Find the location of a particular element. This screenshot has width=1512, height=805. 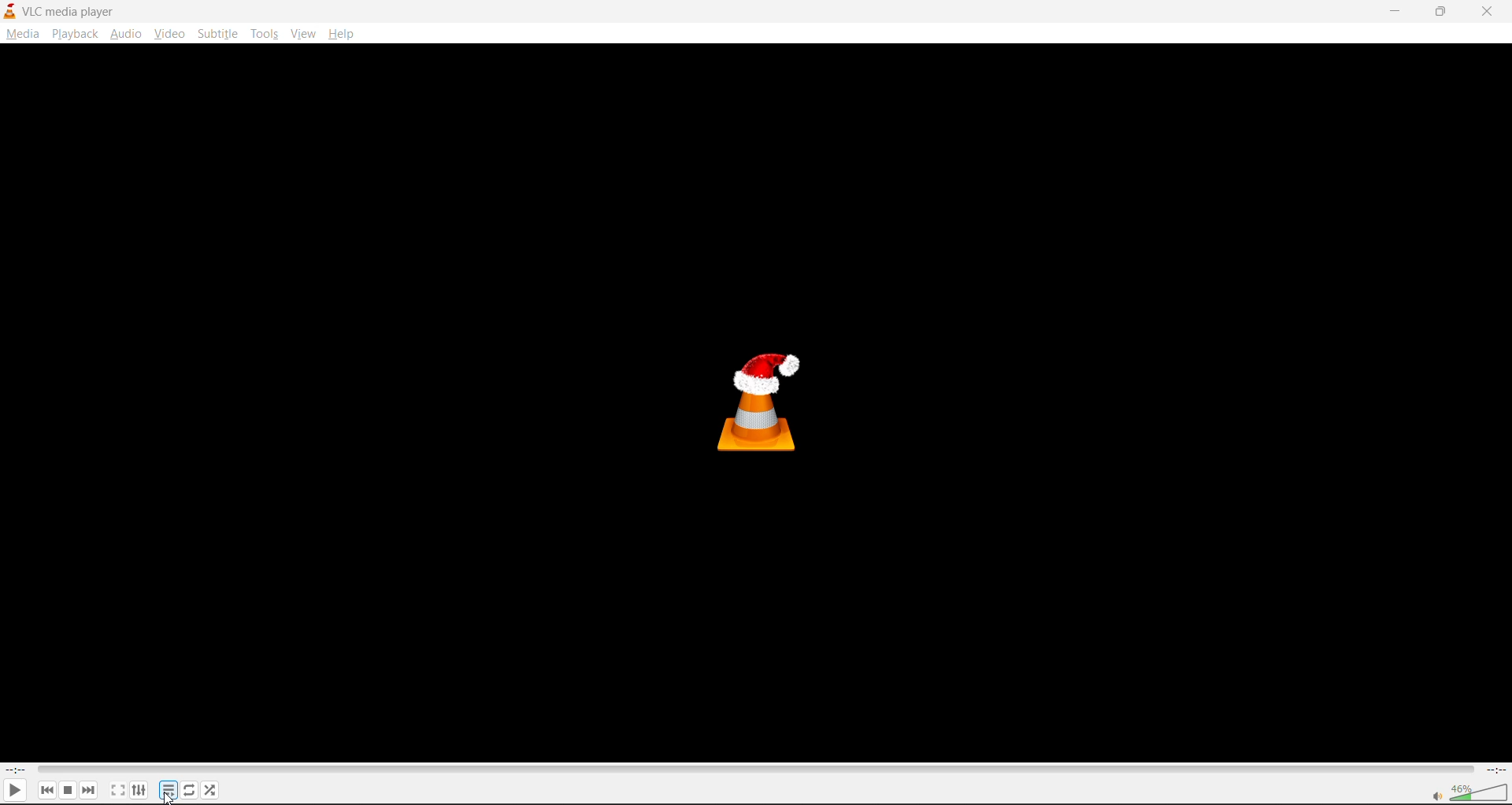

thumbnail is located at coordinates (769, 396).